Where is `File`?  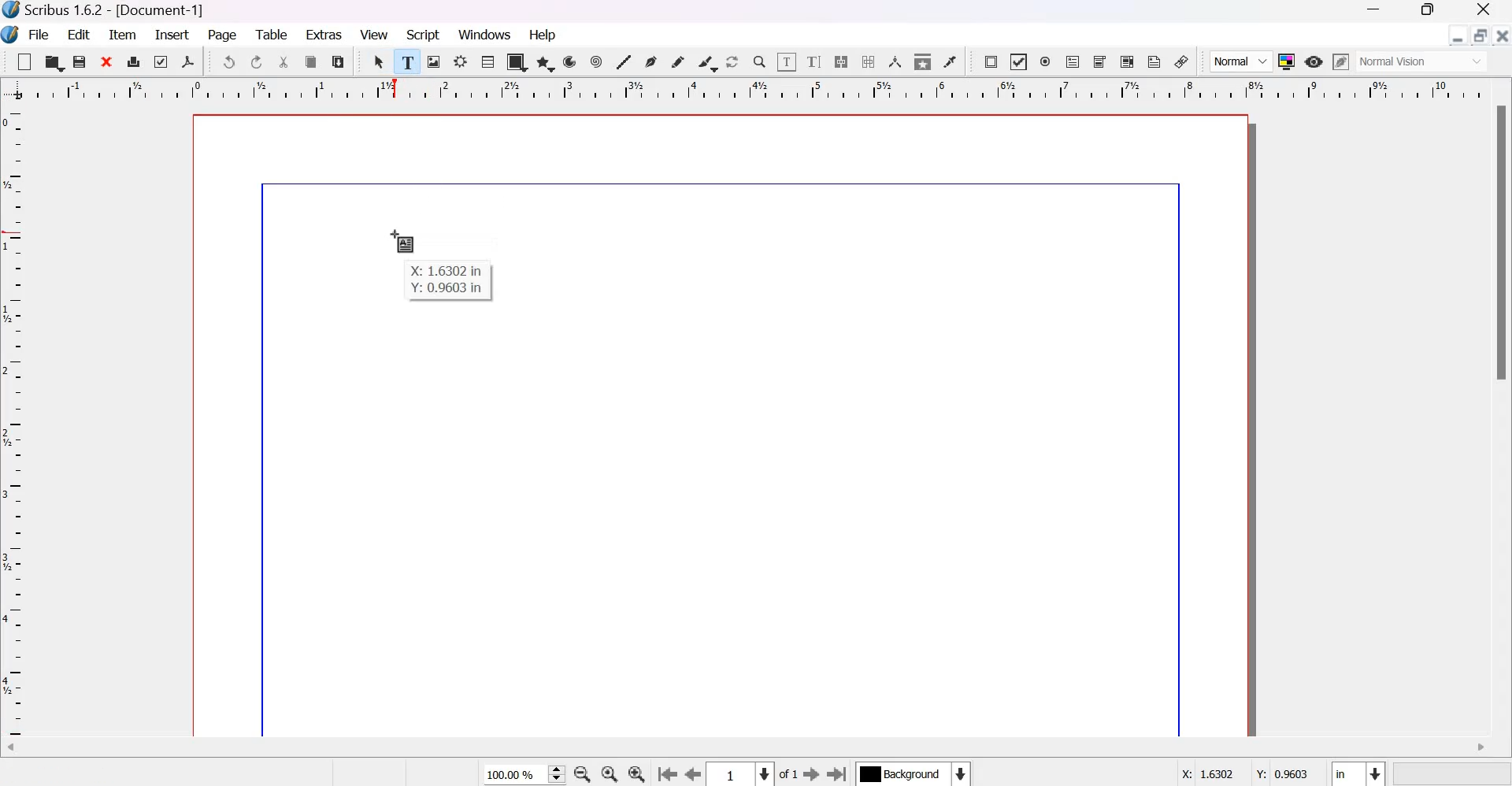
File is located at coordinates (37, 35).